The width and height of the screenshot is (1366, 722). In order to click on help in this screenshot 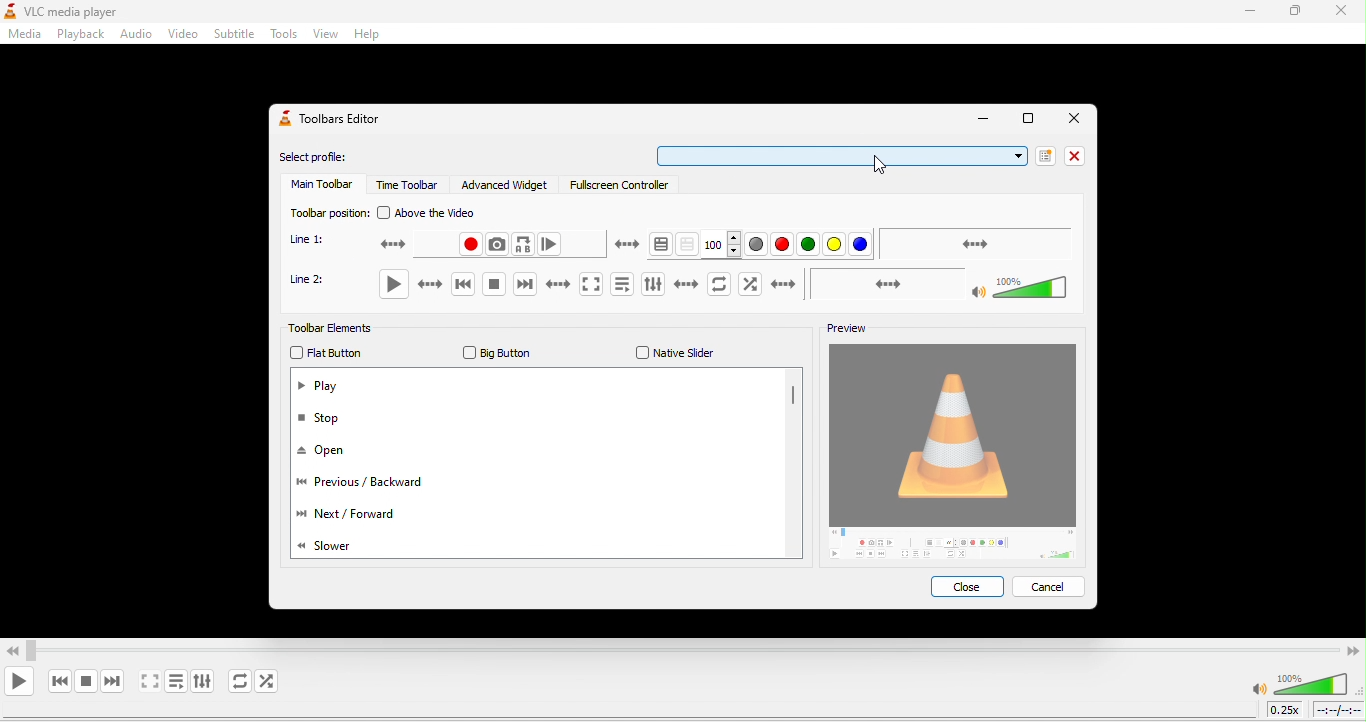, I will do `click(364, 37)`.